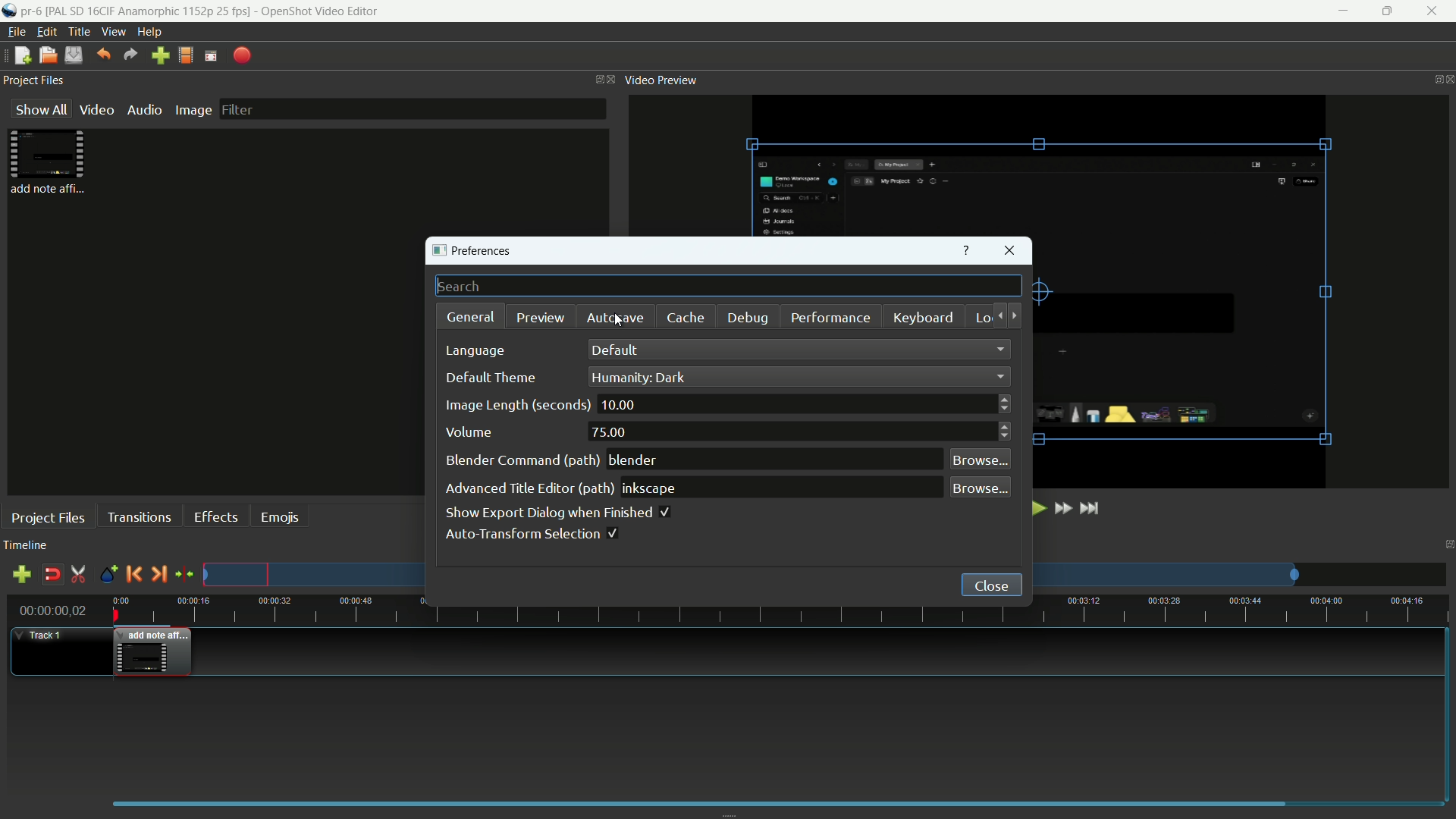  I want to click on 75.00, so click(612, 433).